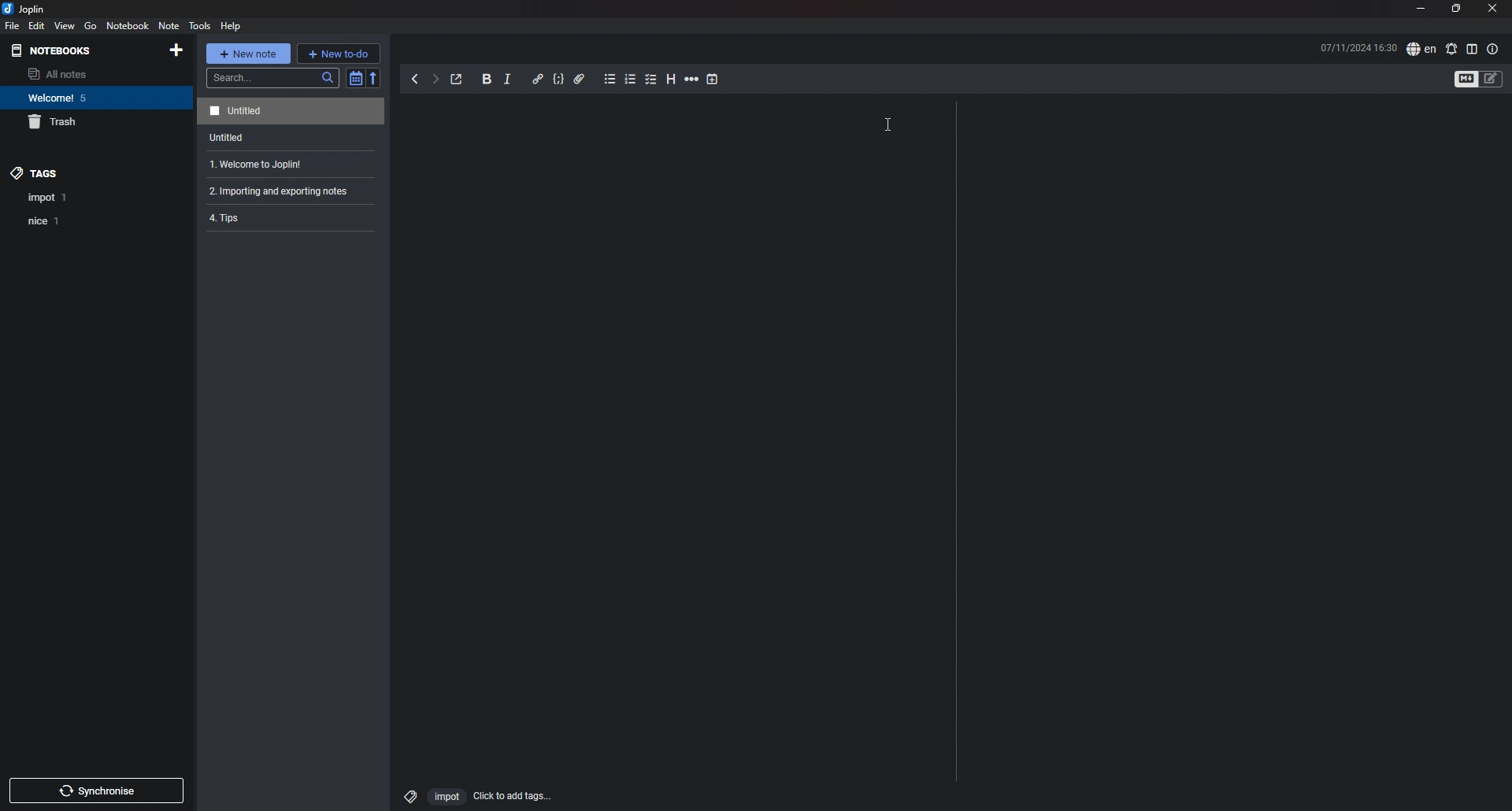 This screenshot has width=1512, height=811. What do you see at coordinates (558, 80) in the screenshot?
I see `code` at bounding box center [558, 80].